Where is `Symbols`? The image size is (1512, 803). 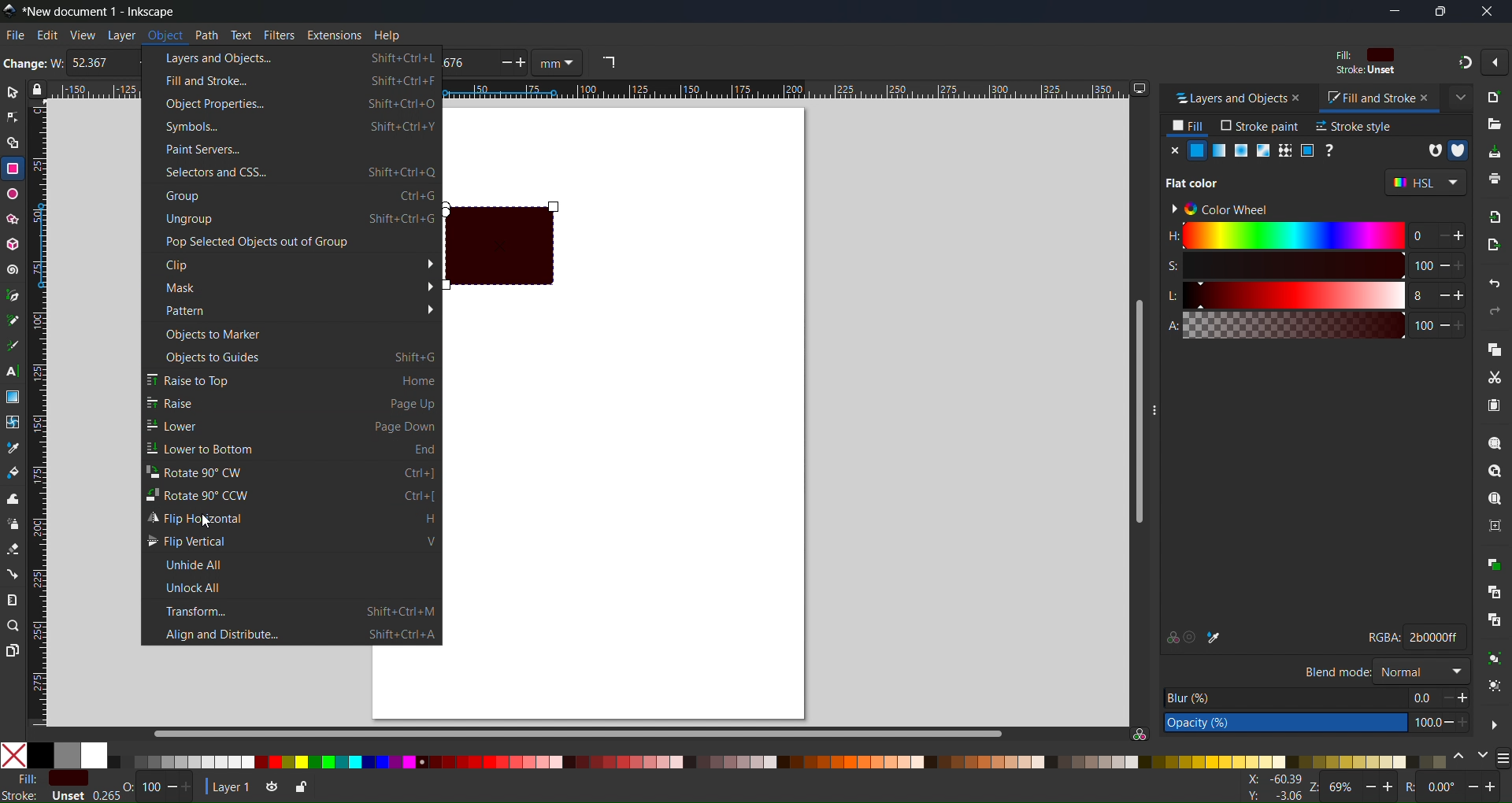
Symbols is located at coordinates (291, 128).